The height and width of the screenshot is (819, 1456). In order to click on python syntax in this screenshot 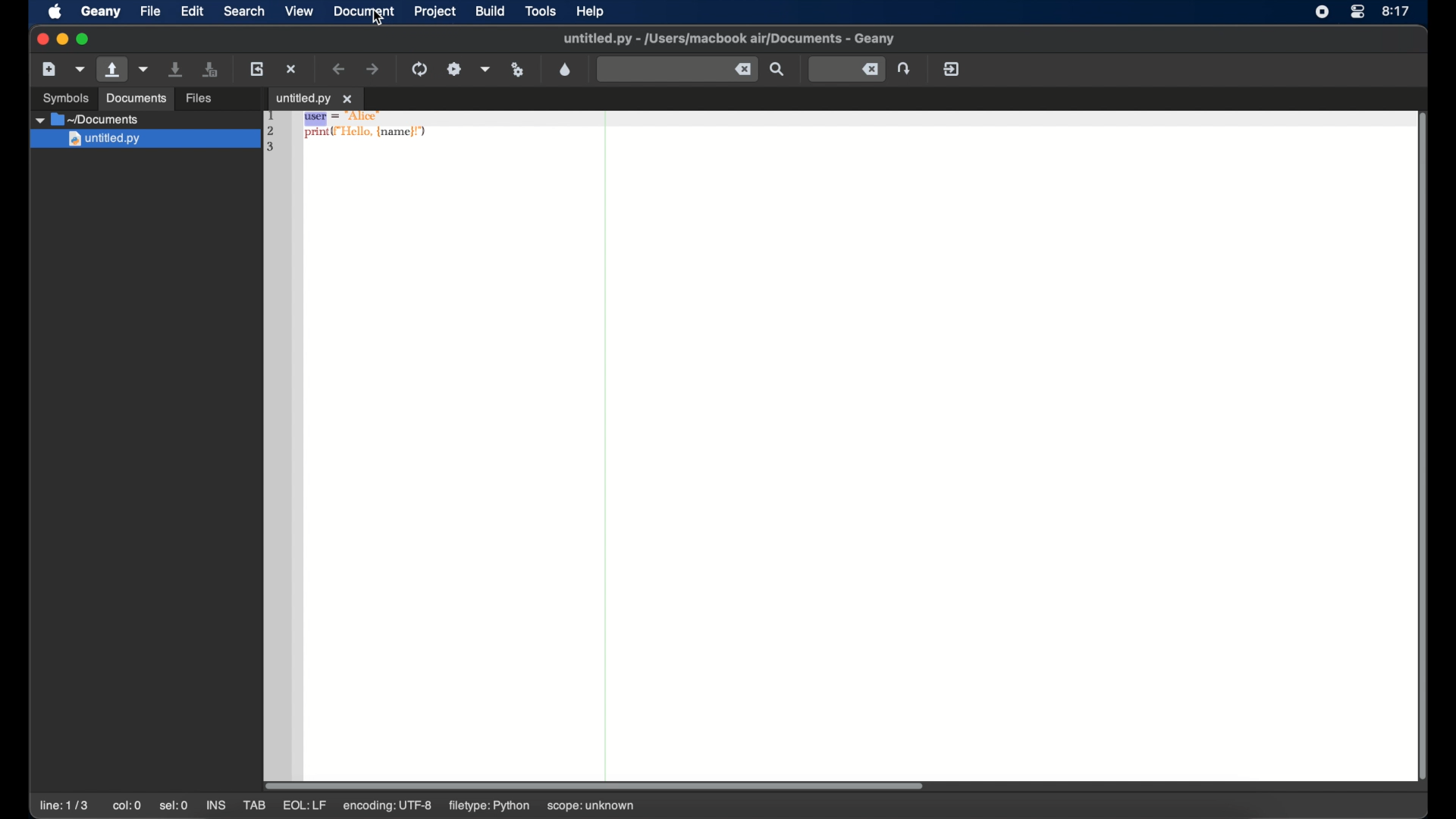, I will do `click(351, 134)`.